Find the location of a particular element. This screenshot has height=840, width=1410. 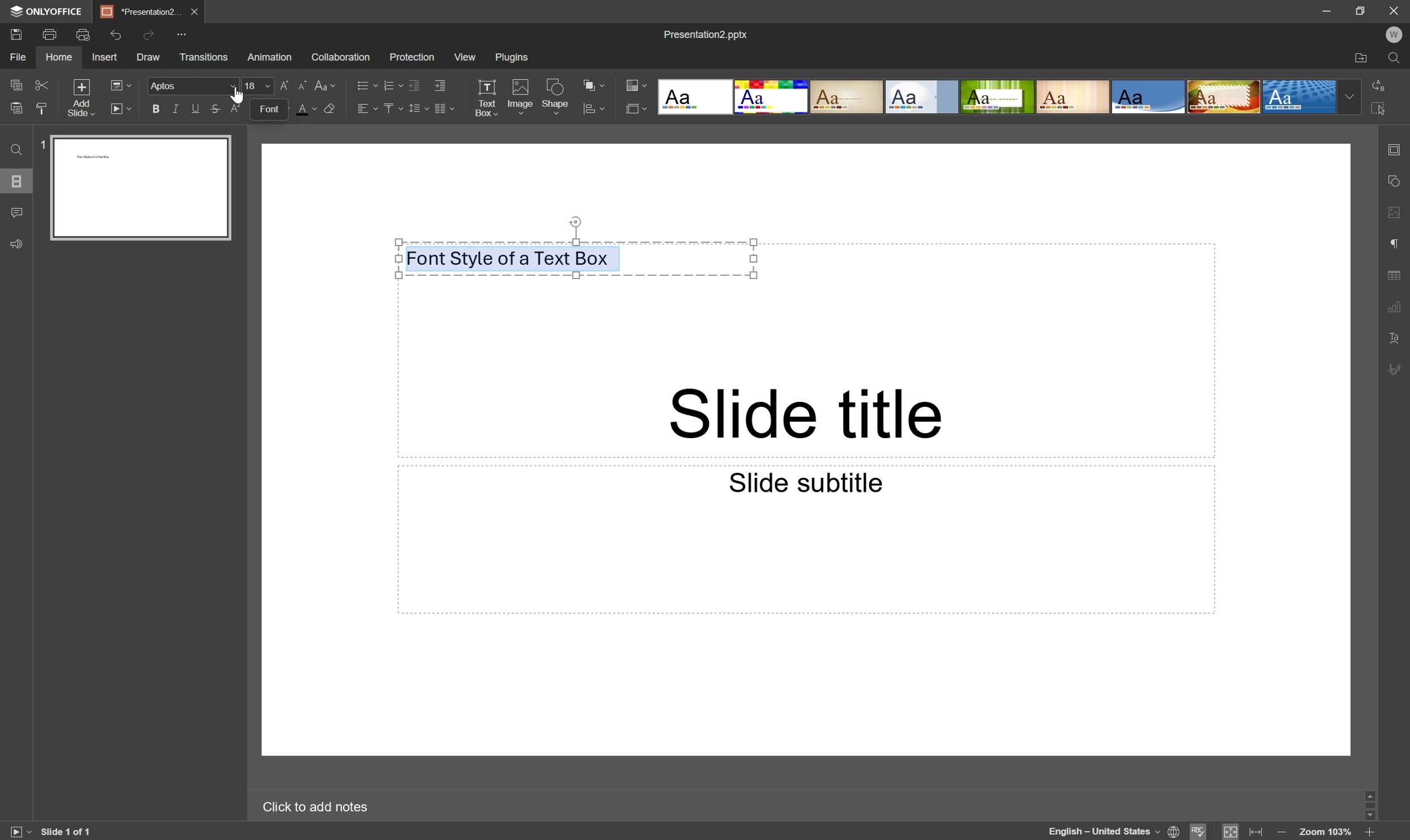

Font color is located at coordinates (306, 108).